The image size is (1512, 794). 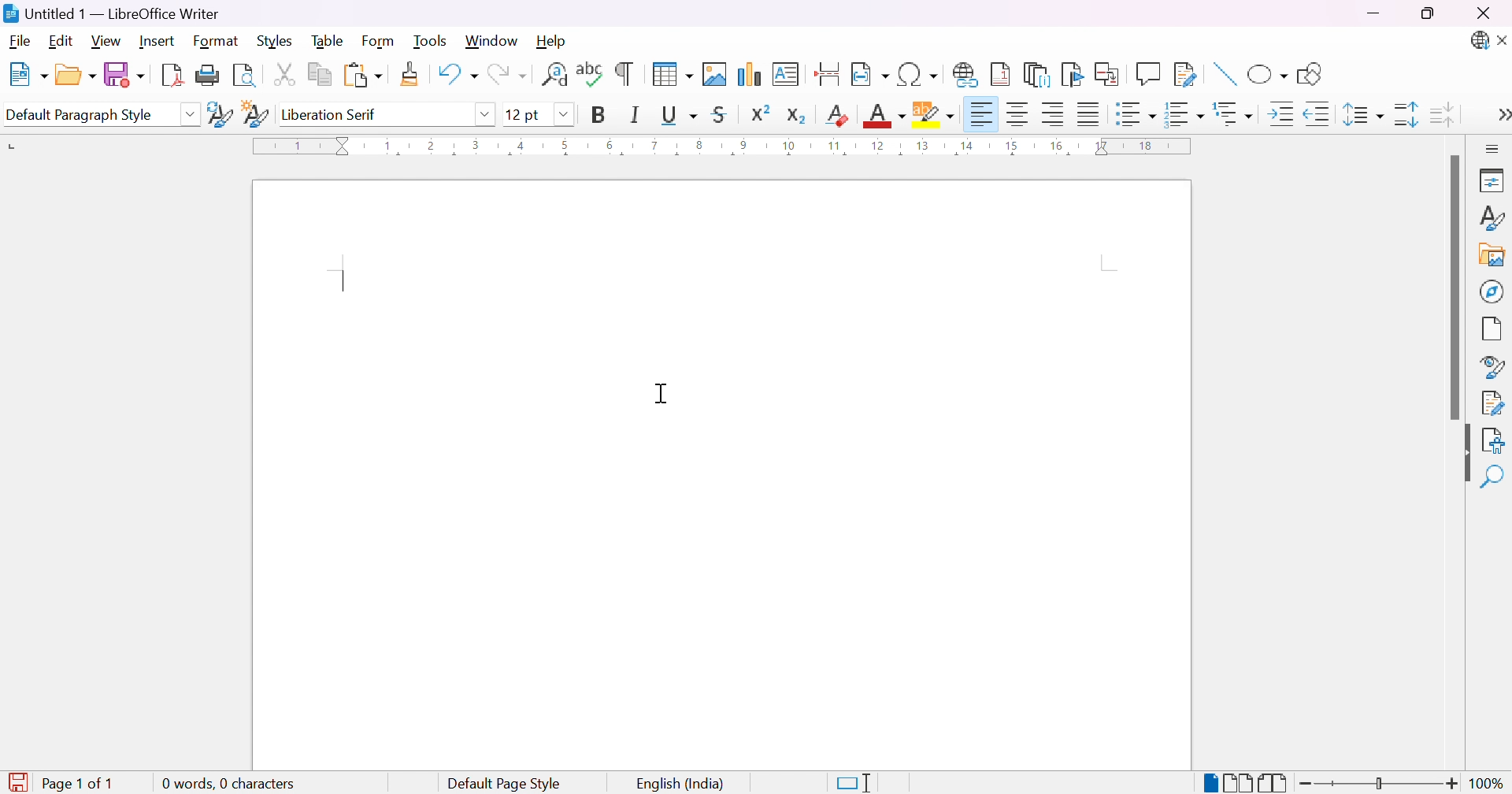 I want to click on Select outline format, so click(x=1236, y=114).